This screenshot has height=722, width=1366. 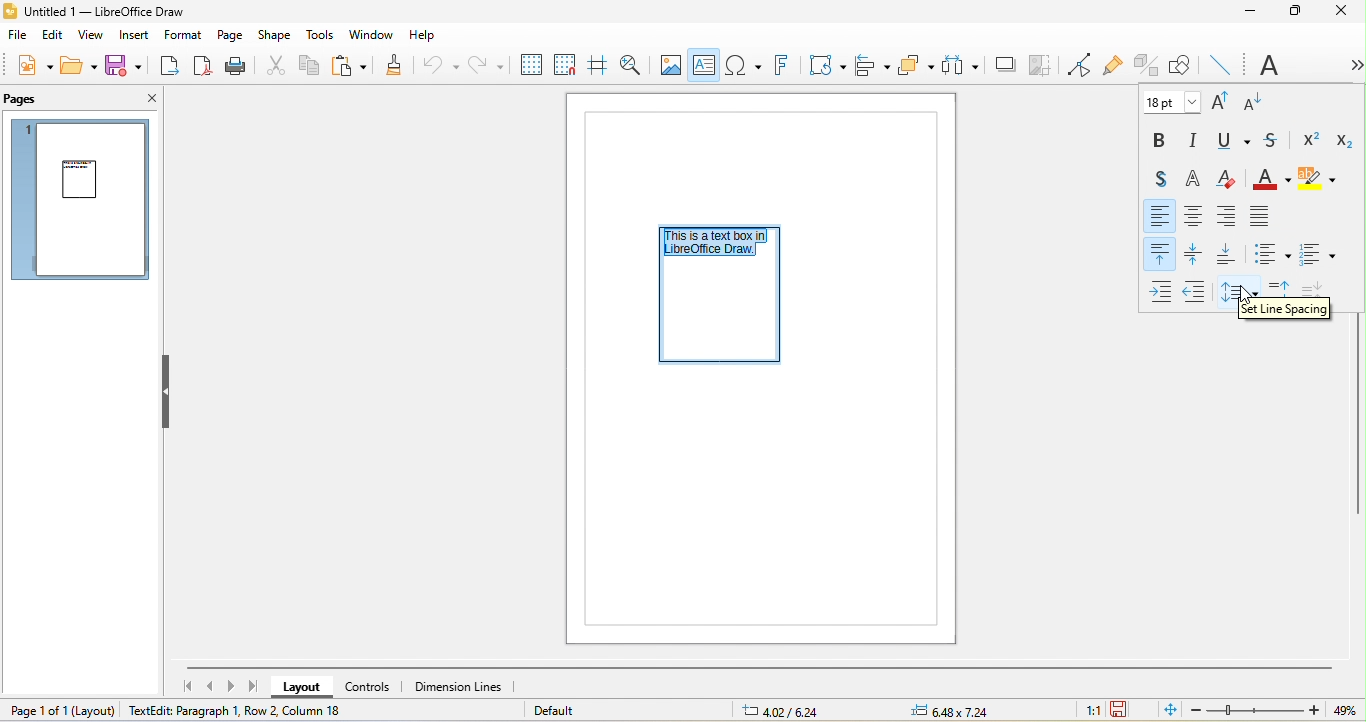 I want to click on format, so click(x=183, y=37).